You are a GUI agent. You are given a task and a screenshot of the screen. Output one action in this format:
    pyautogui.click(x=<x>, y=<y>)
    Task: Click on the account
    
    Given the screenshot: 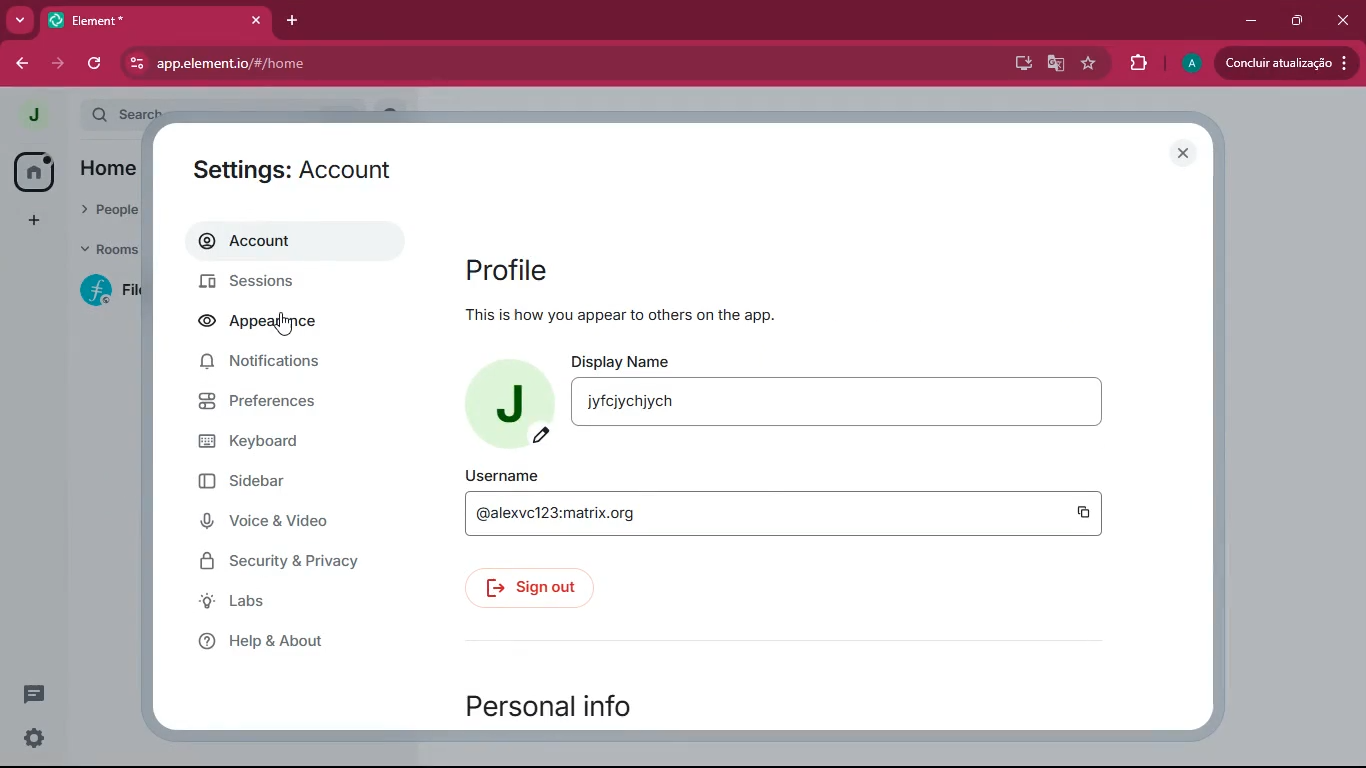 What is the action you would take?
    pyautogui.click(x=294, y=244)
    